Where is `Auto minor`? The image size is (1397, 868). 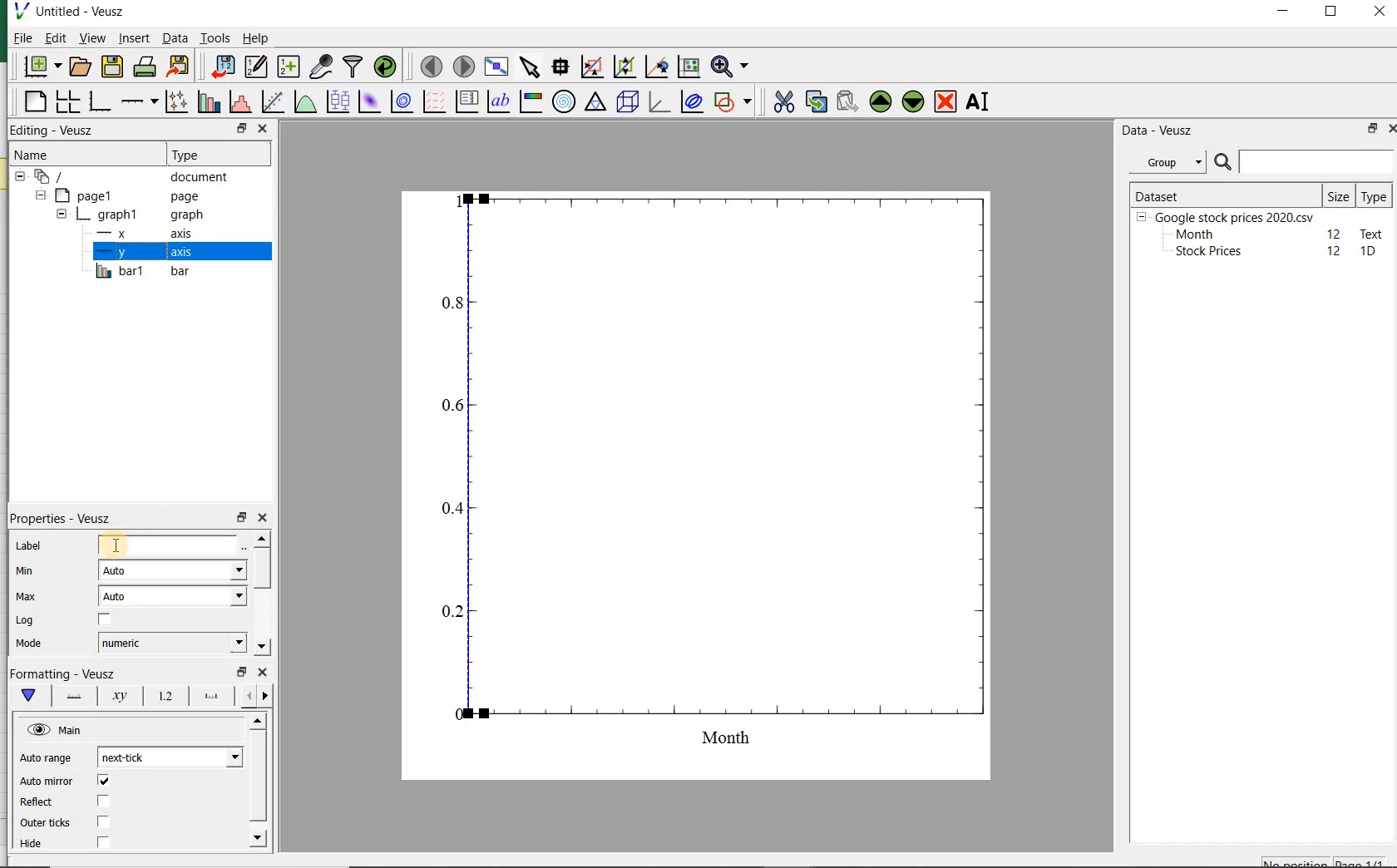
Auto minor is located at coordinates (47, 782).